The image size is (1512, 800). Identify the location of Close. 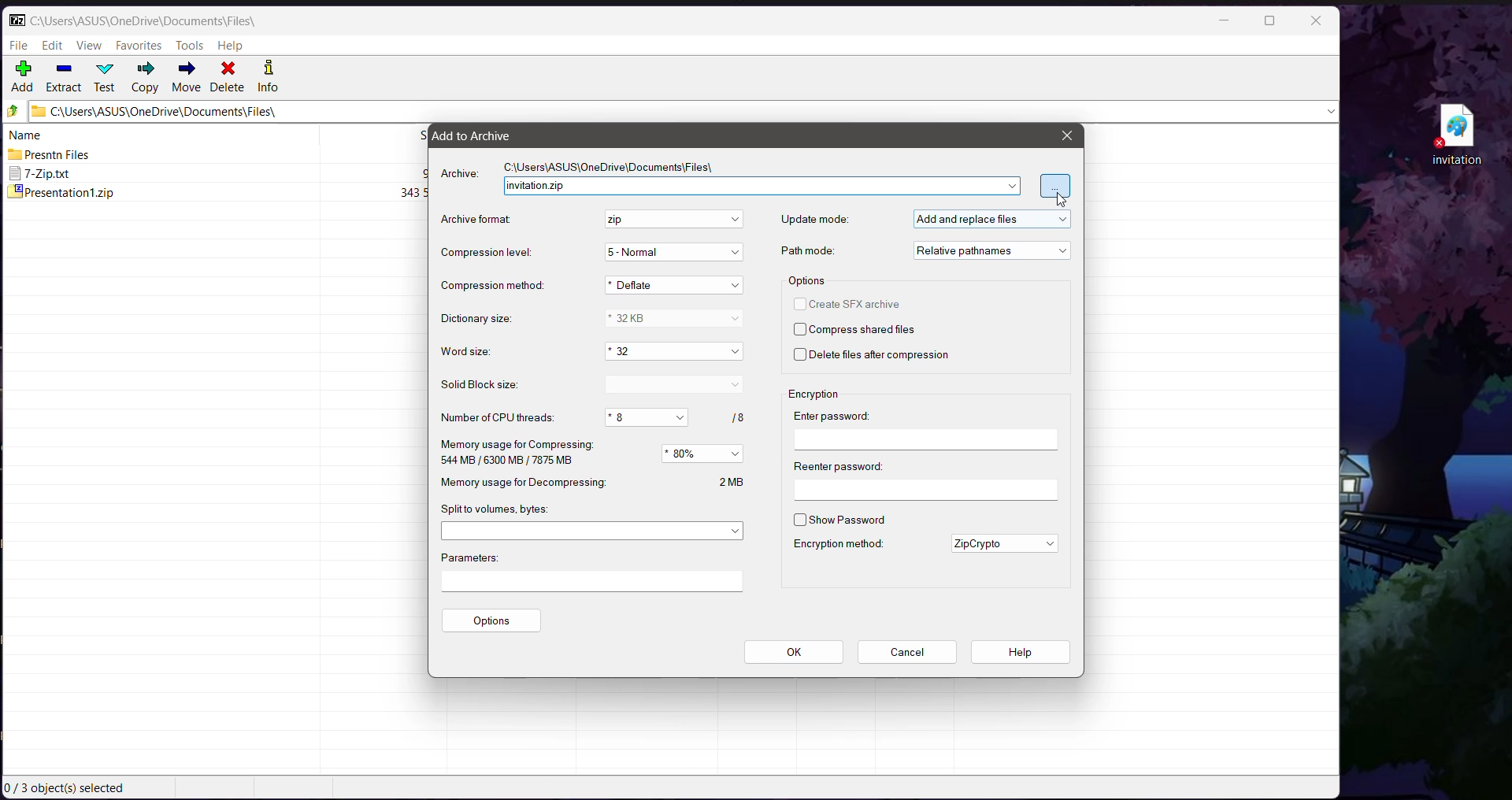
(1315, 22).